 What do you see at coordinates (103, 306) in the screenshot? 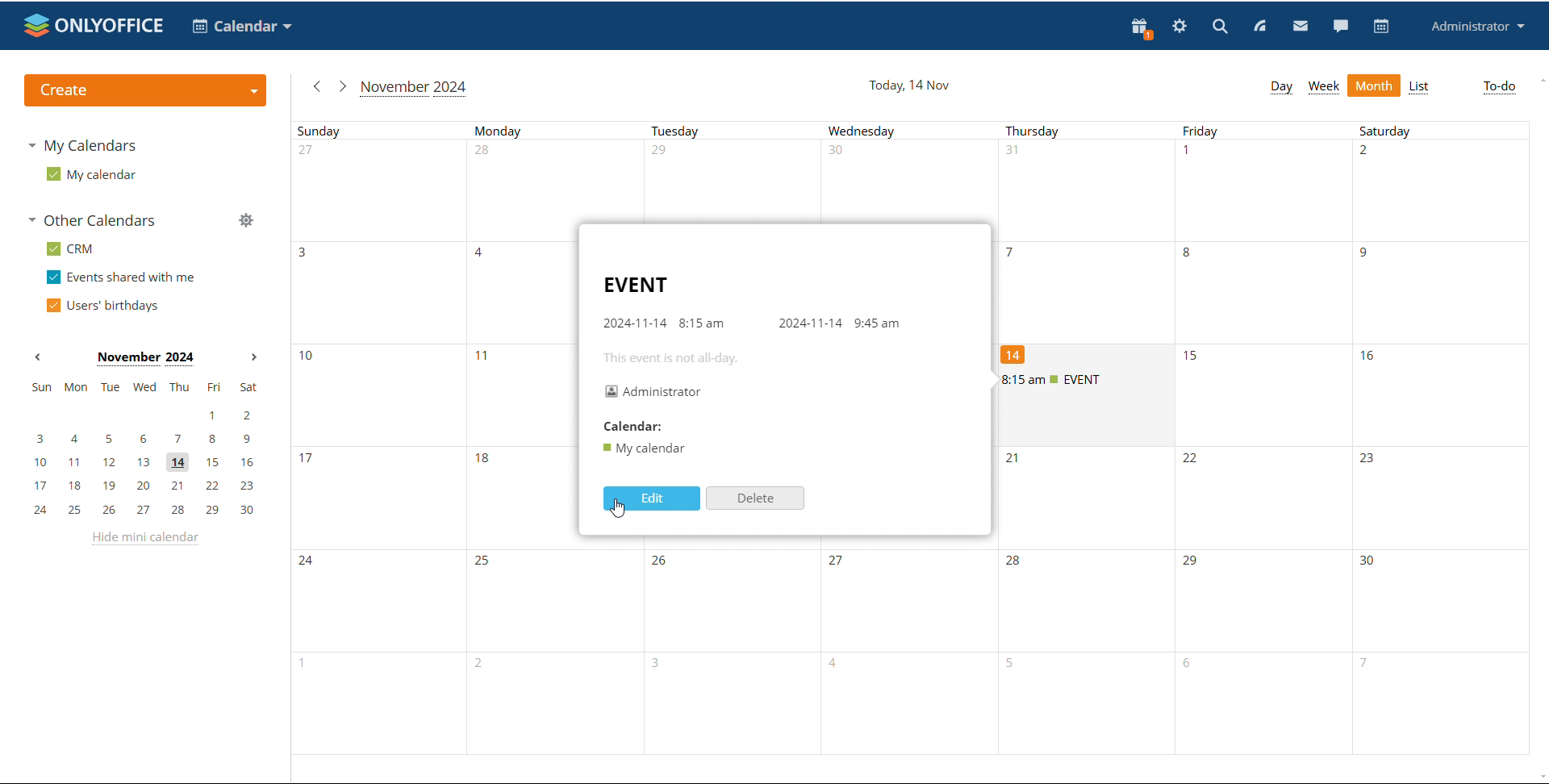
I see `users' birthdays` at bounding box center [103, 306].